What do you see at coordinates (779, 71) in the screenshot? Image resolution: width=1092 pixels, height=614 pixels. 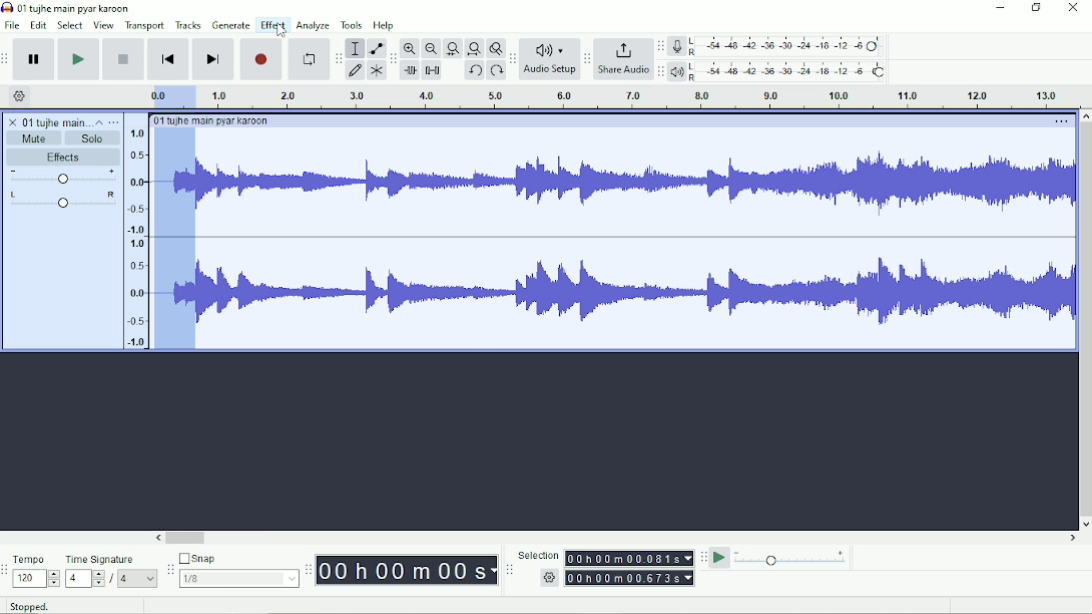 I see `Playback Meter` at bounding box center [779, 71].